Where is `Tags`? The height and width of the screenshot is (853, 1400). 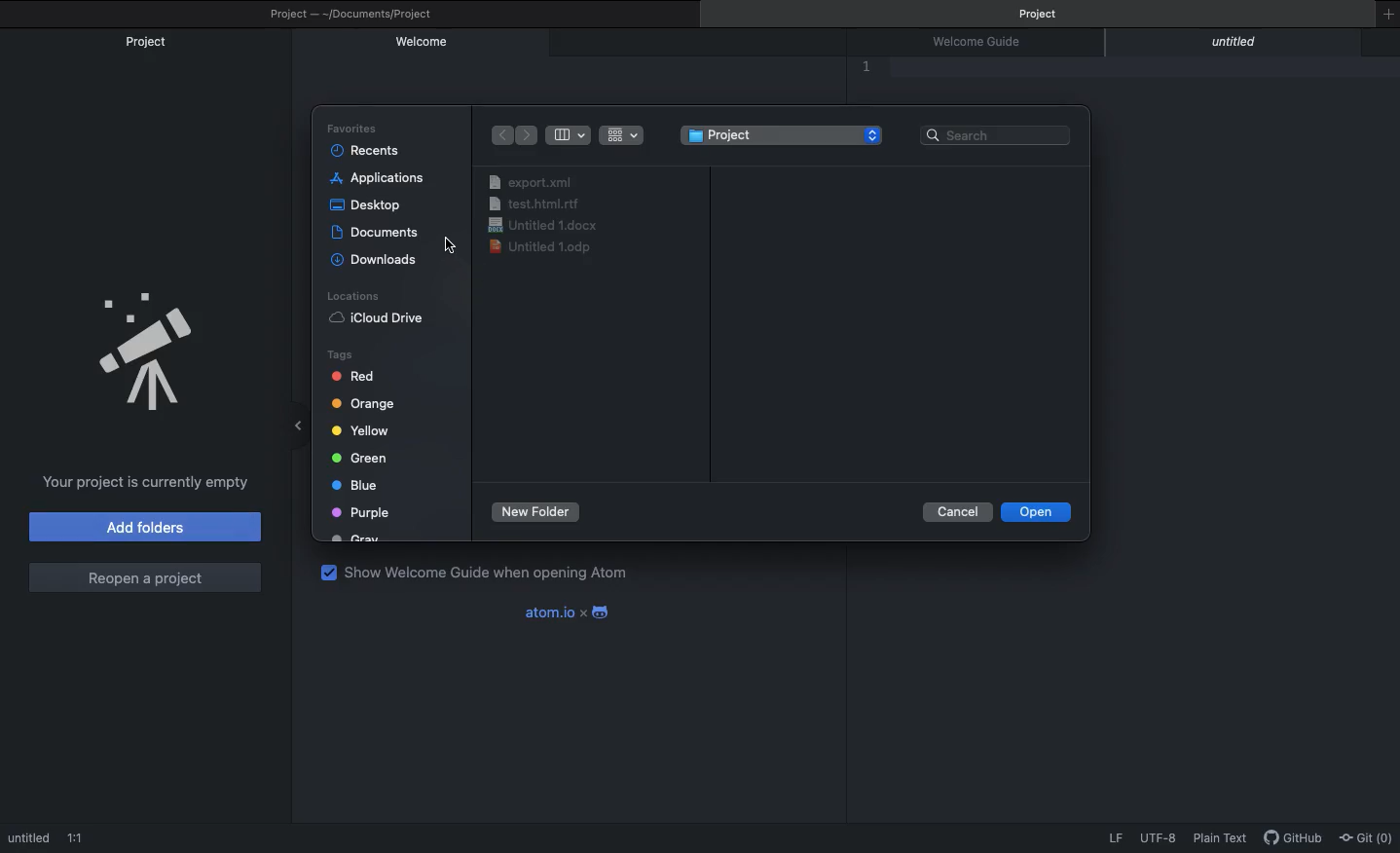
Tags is located at coordinates (373, 443).